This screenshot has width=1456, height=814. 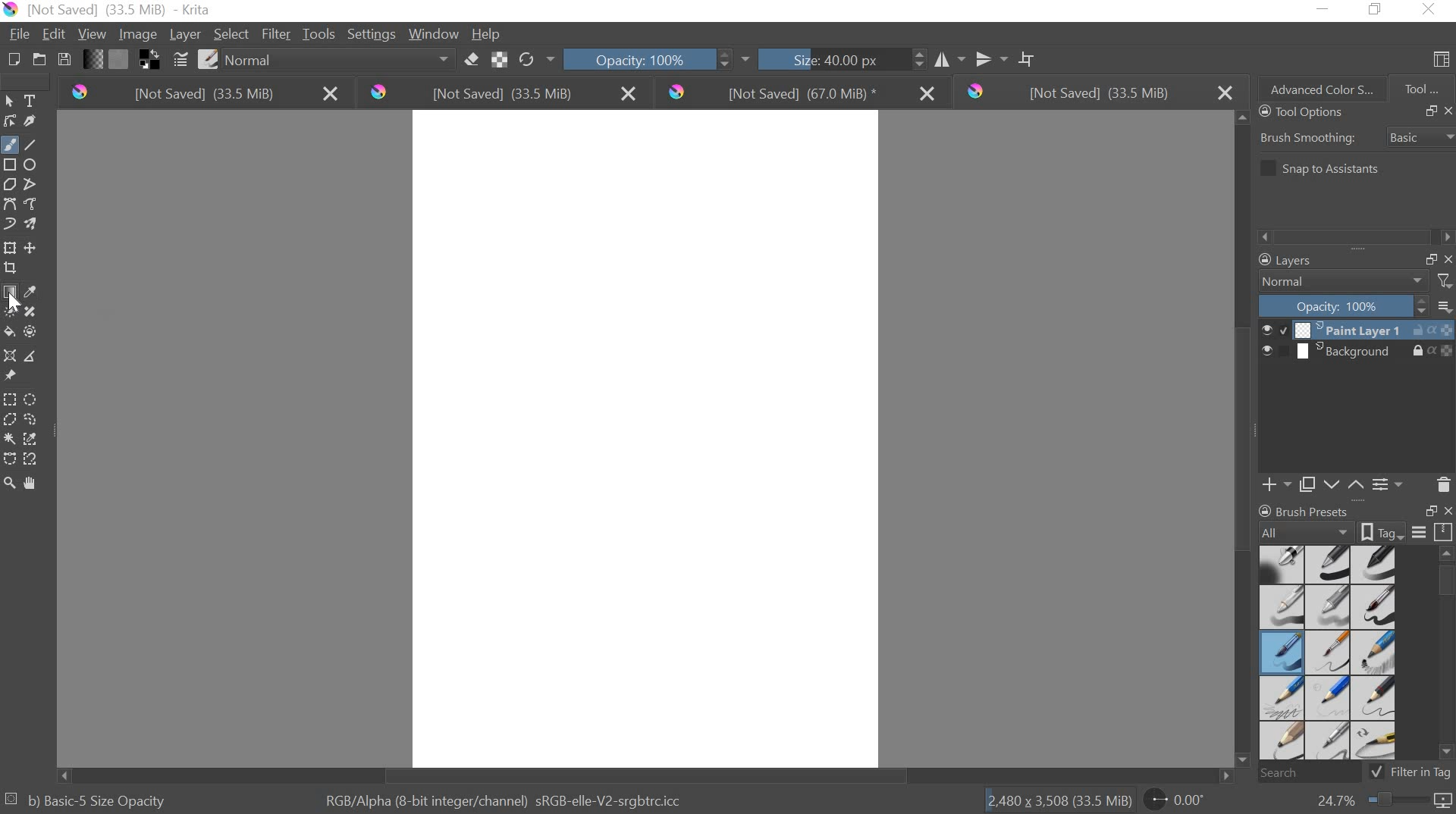 I want to click on gradient fill, so click(x=9, y=293).